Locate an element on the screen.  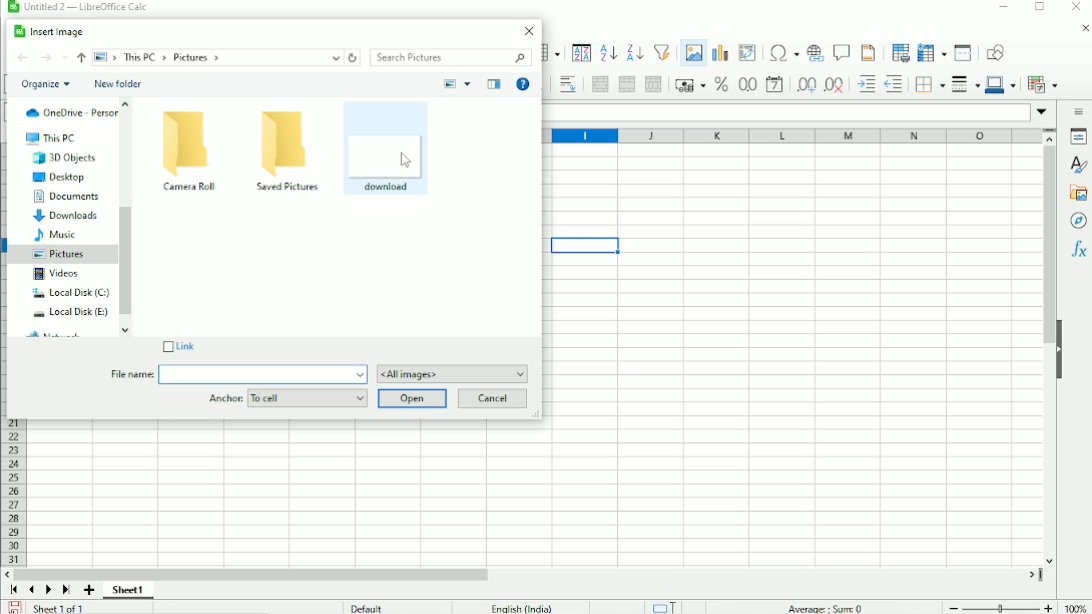
Refresh is located at coordinates (353, 56).